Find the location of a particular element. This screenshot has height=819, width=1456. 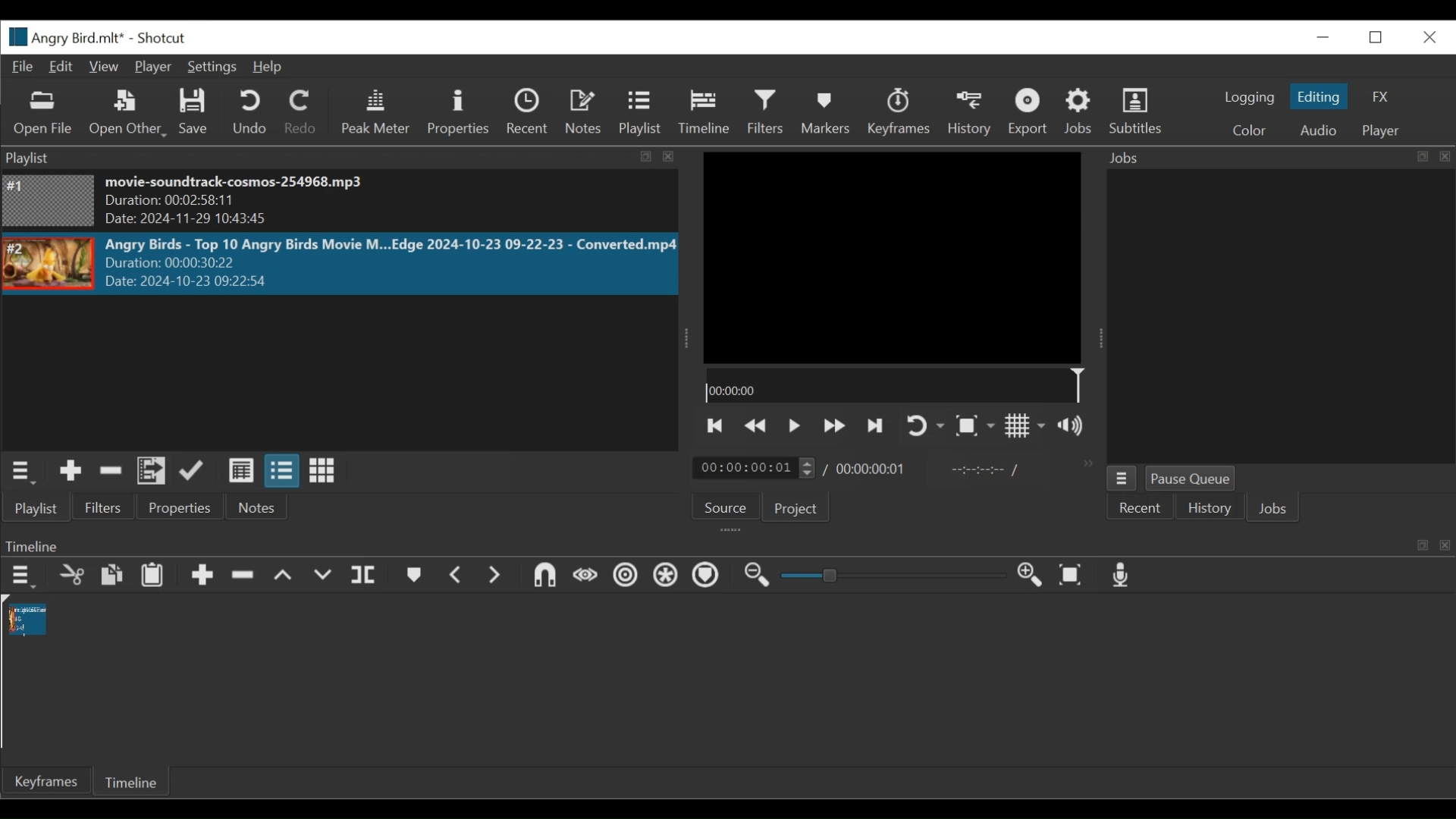

Open Other is located at coordinates (128, 114).